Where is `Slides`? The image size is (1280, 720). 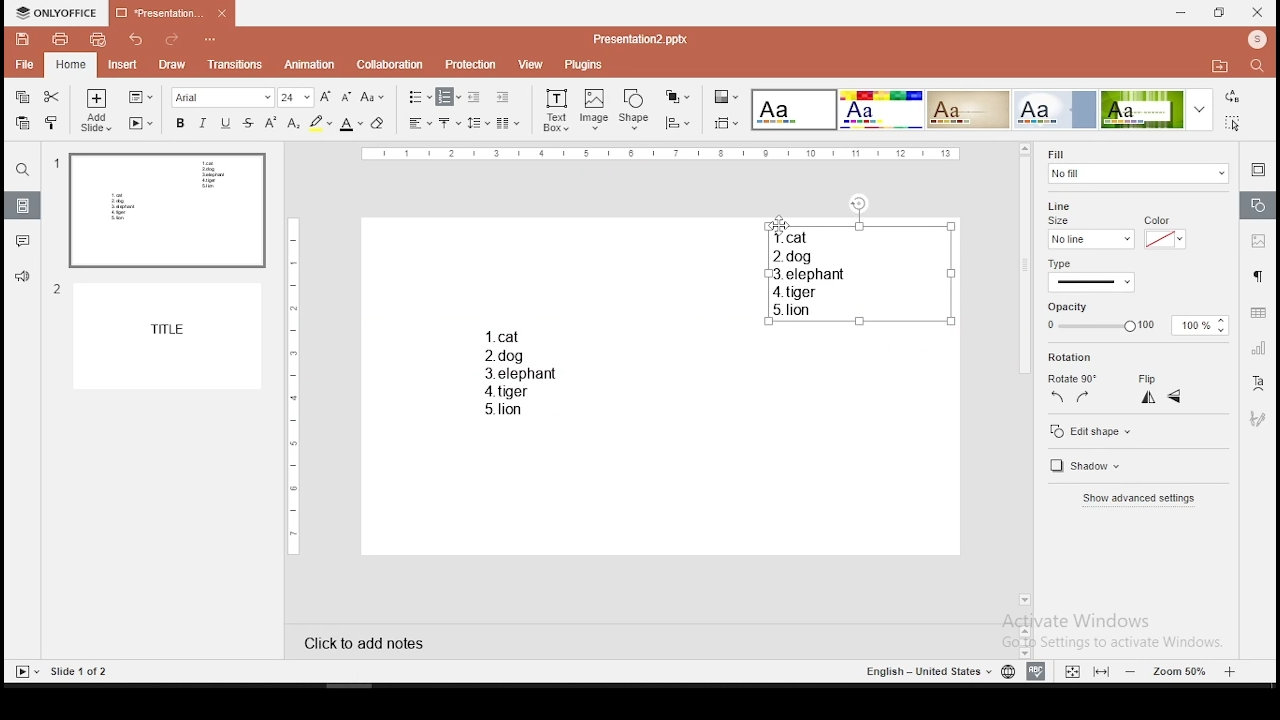
Slides is located at coordinates (62, 671).